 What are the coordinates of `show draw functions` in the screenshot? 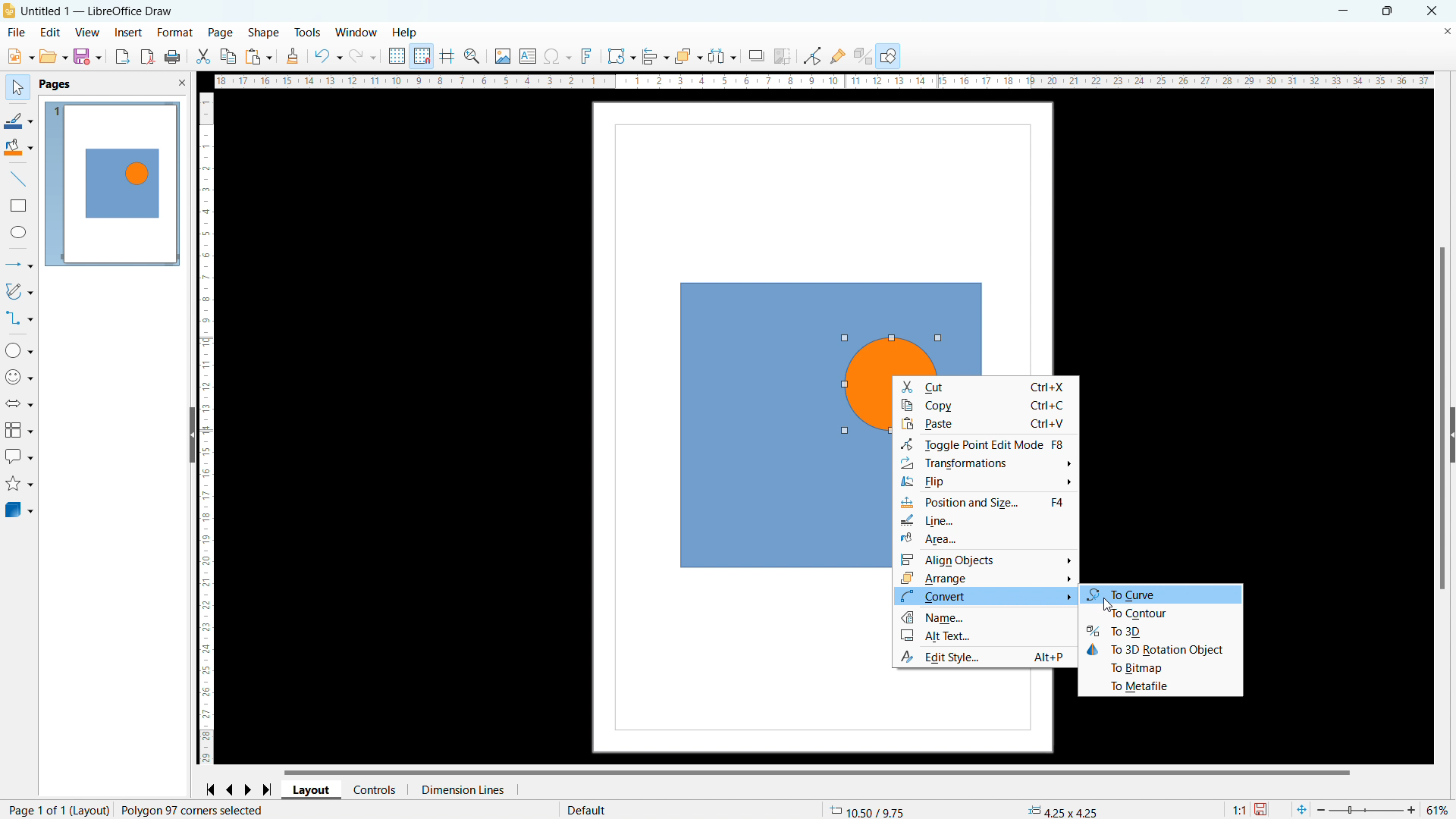 It's located at (890, 55).